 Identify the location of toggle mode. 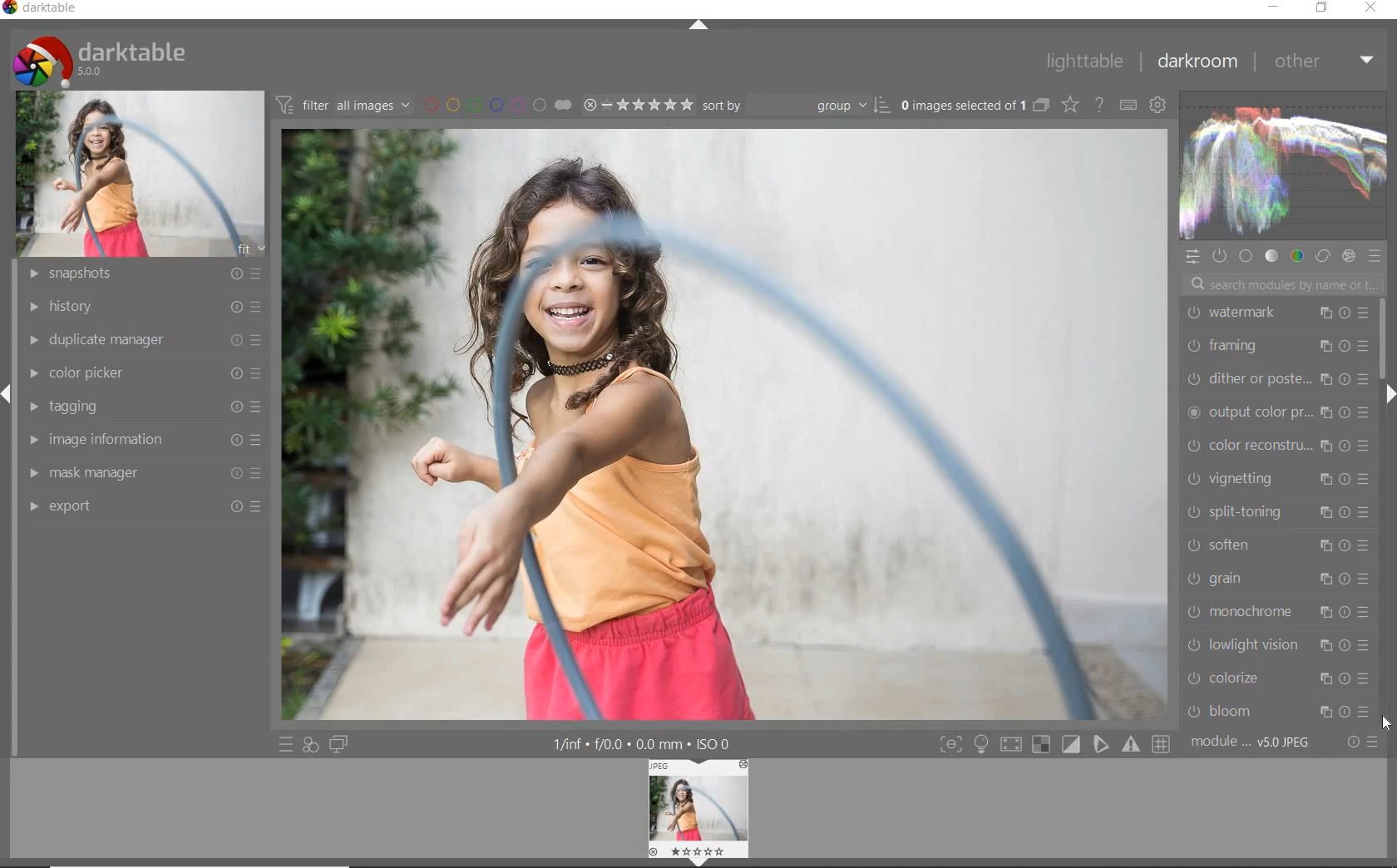
(950, 744).